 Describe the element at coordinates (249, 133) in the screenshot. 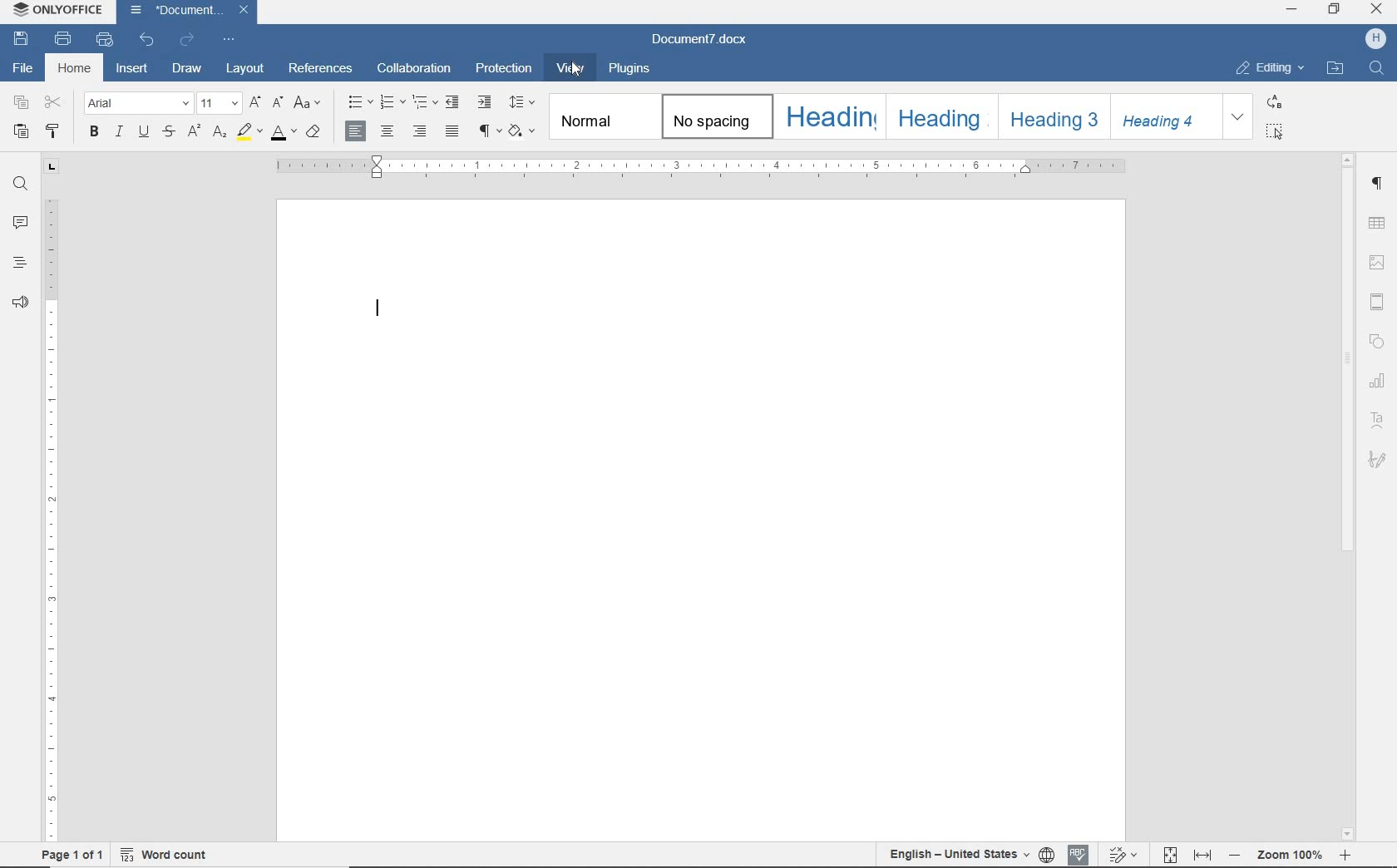

I see `HIGHLIGHT COLOR` at that location.